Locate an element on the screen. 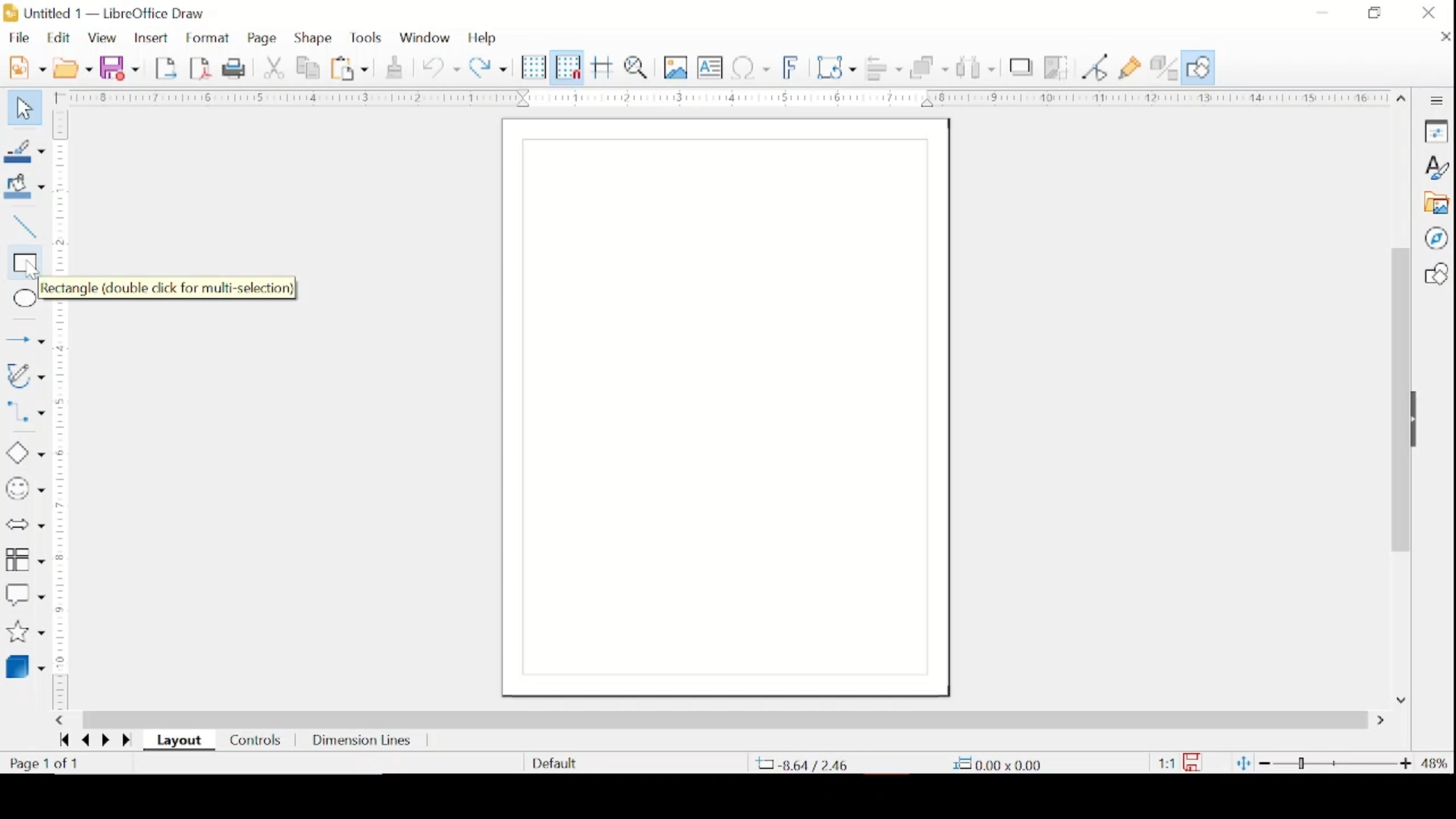 The height and width of the screenshot is (819, 1456). this document has been modified is located at coordinates (1180, 763).